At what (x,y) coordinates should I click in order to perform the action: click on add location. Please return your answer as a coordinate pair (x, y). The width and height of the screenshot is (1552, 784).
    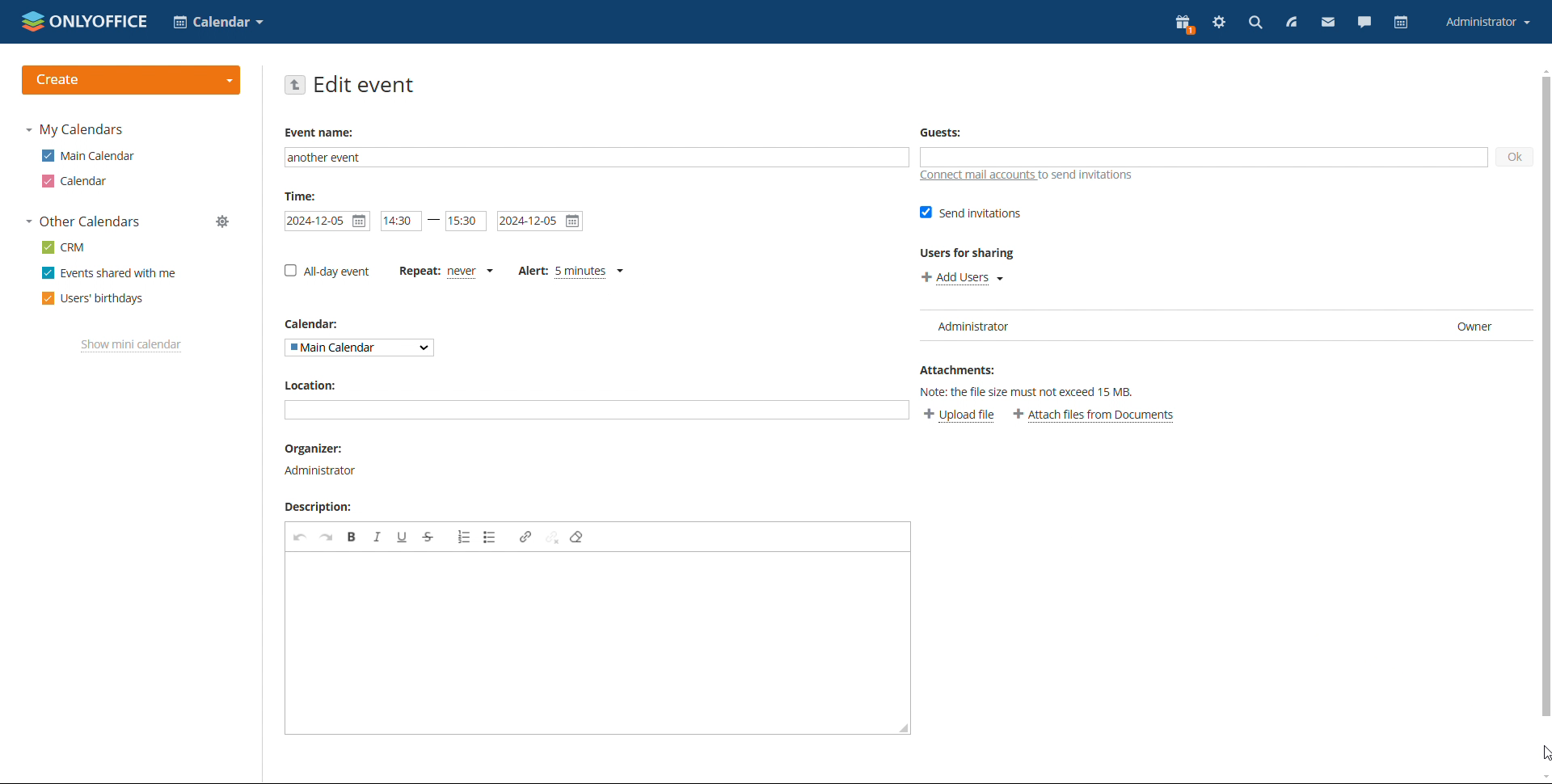
    Looking at the image, I should click on (596, 409).